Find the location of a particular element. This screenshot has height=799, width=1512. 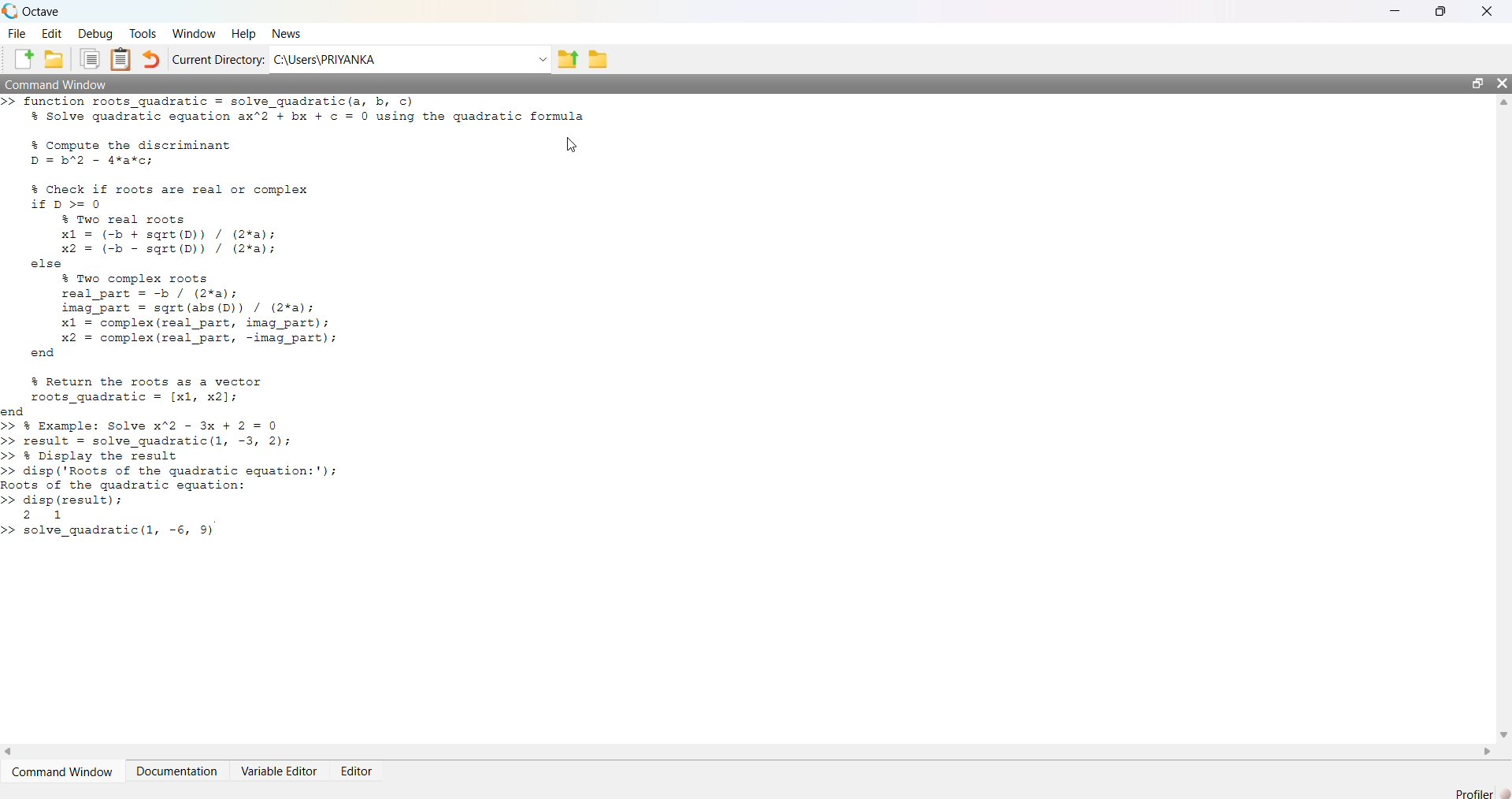

Tools is located at coordinates (143, 35).